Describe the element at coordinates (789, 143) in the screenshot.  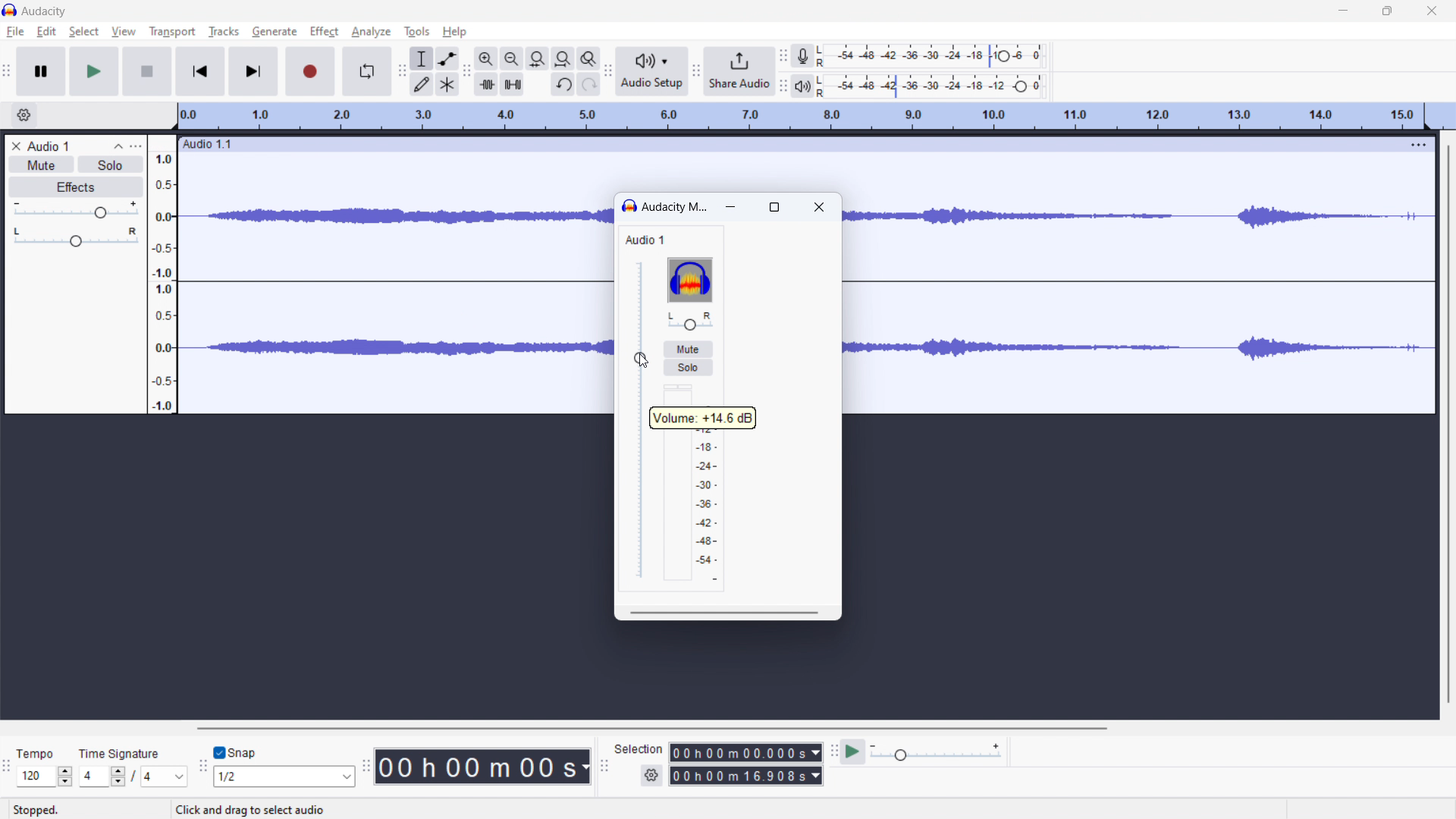
I see `hold to move` at that location.